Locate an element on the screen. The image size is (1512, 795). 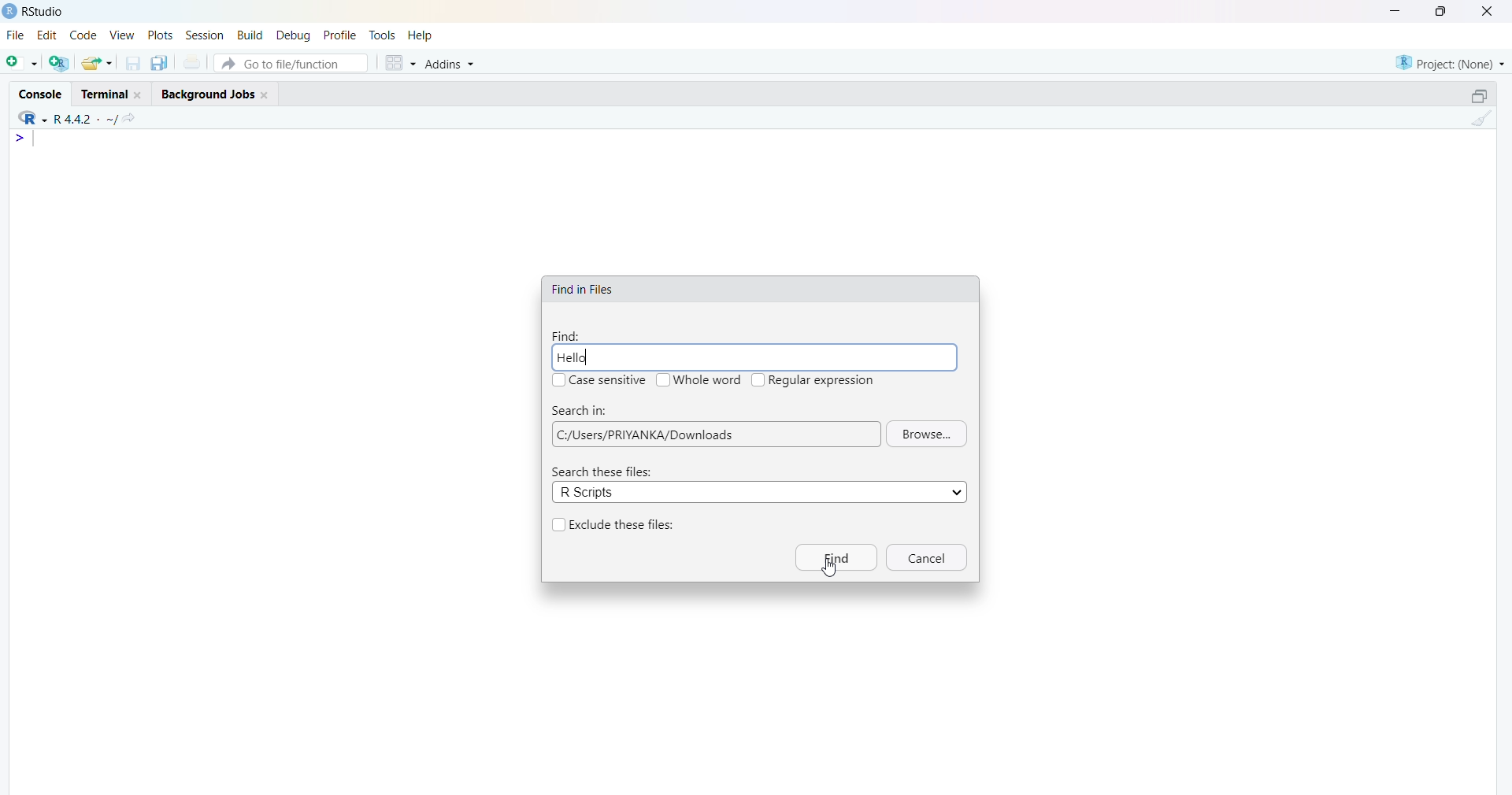
Help is located at coordinates (421, 35).